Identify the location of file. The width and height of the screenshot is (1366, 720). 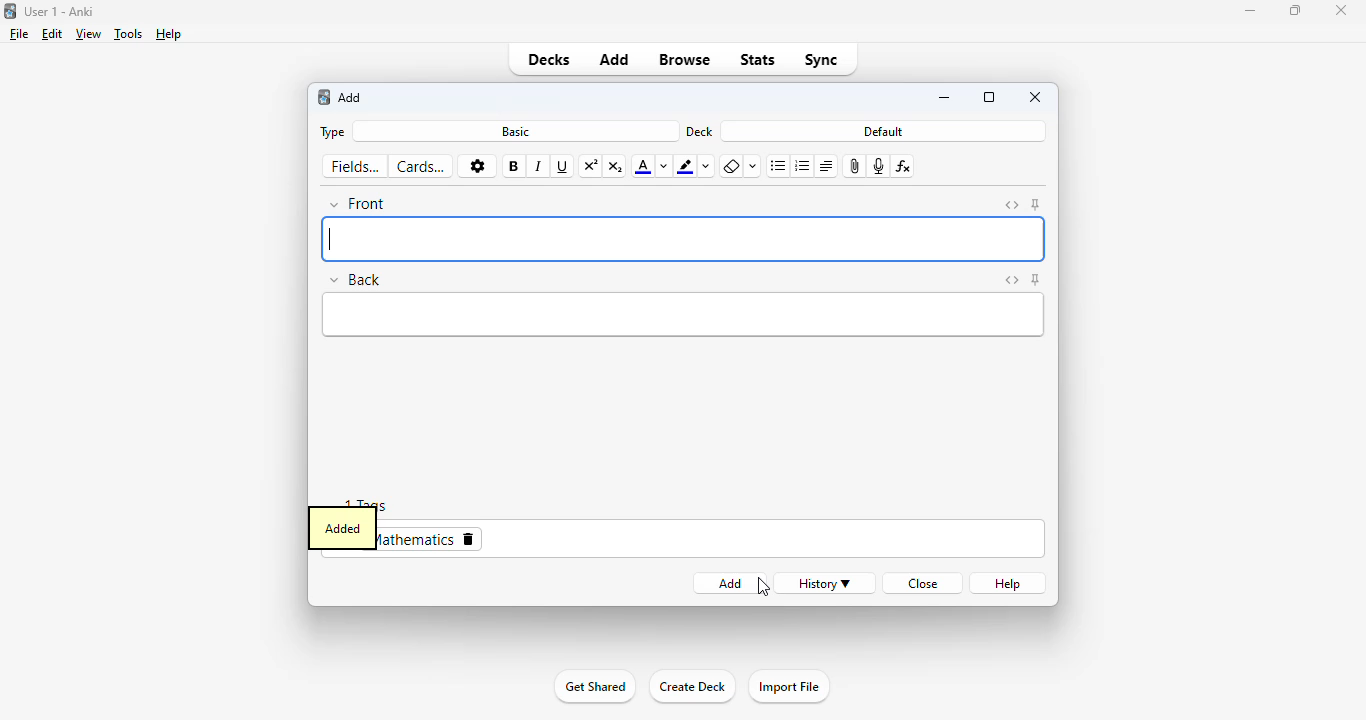
(19, 34).